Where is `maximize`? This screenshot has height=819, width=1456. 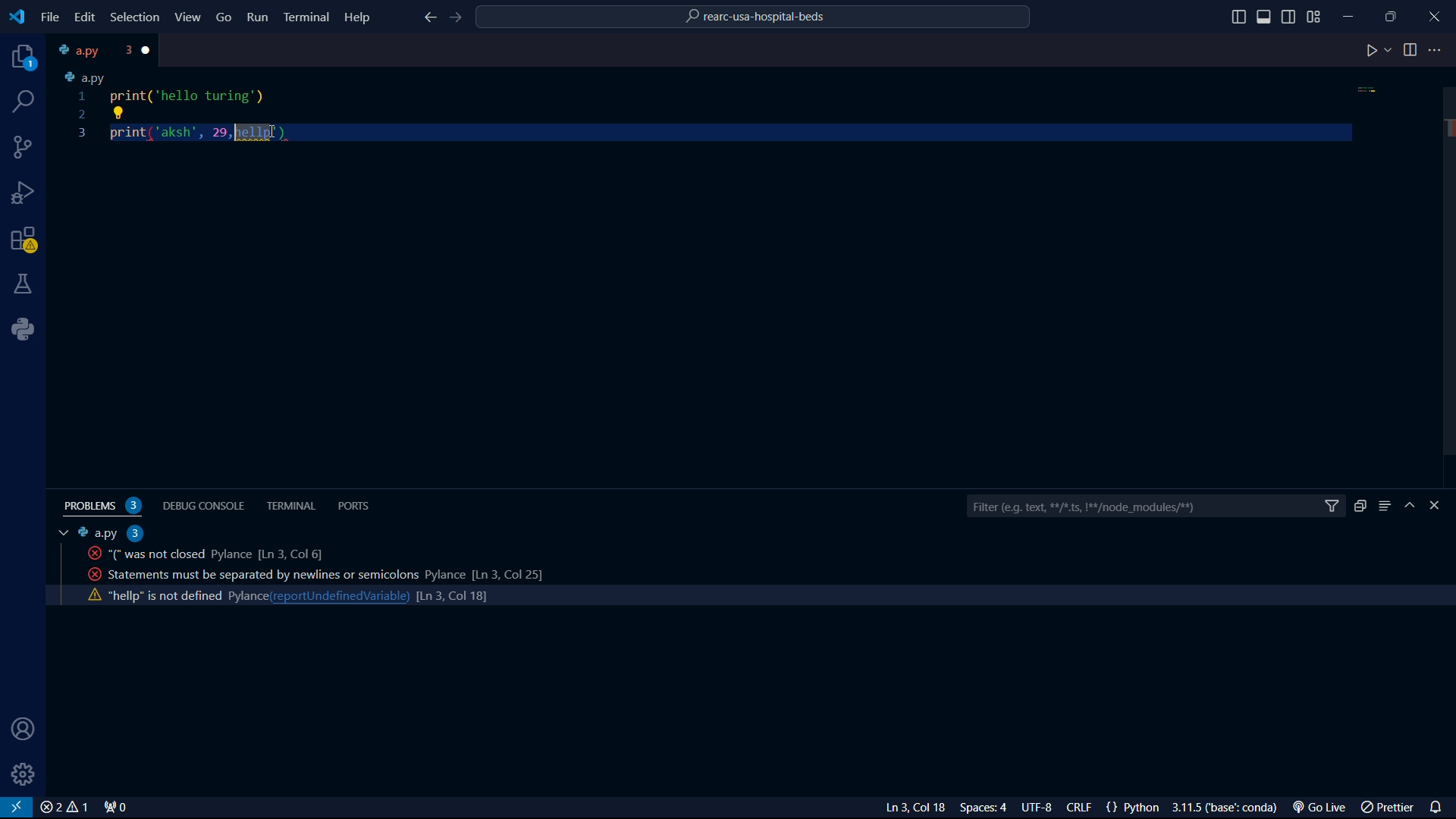 maximize is located at coordinates (1393, 16).